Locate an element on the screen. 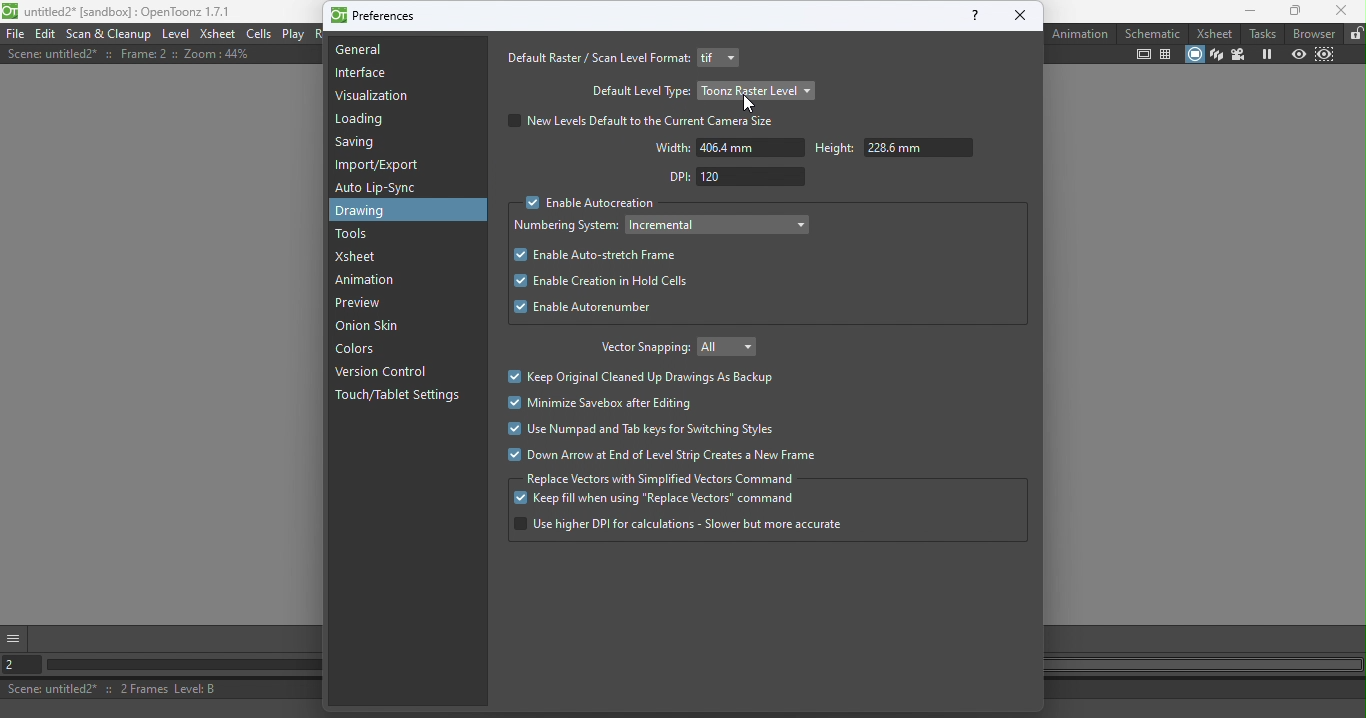  Preview is located at coordinates (357, 304).